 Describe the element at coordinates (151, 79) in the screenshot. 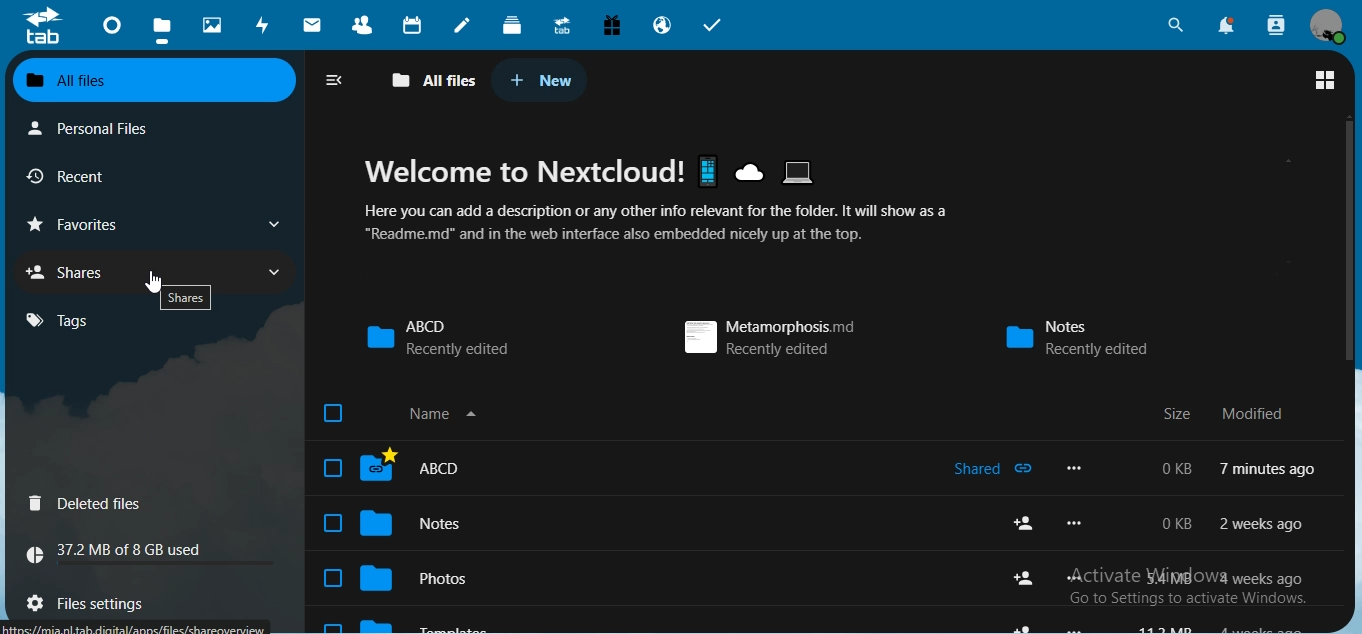

I see `all files` at that location.